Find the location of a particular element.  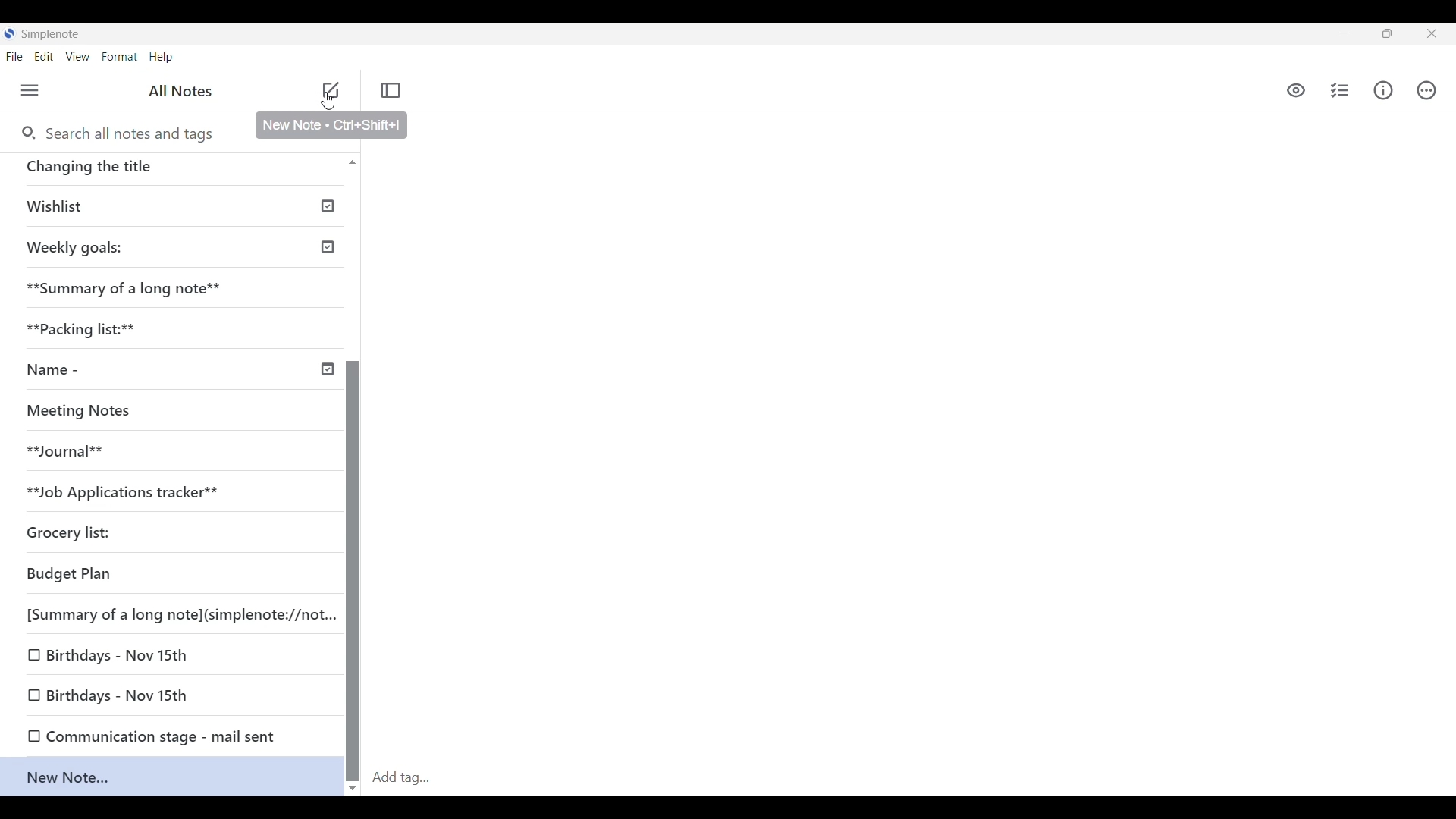

Checkbox is located at coordinates (31, 657).